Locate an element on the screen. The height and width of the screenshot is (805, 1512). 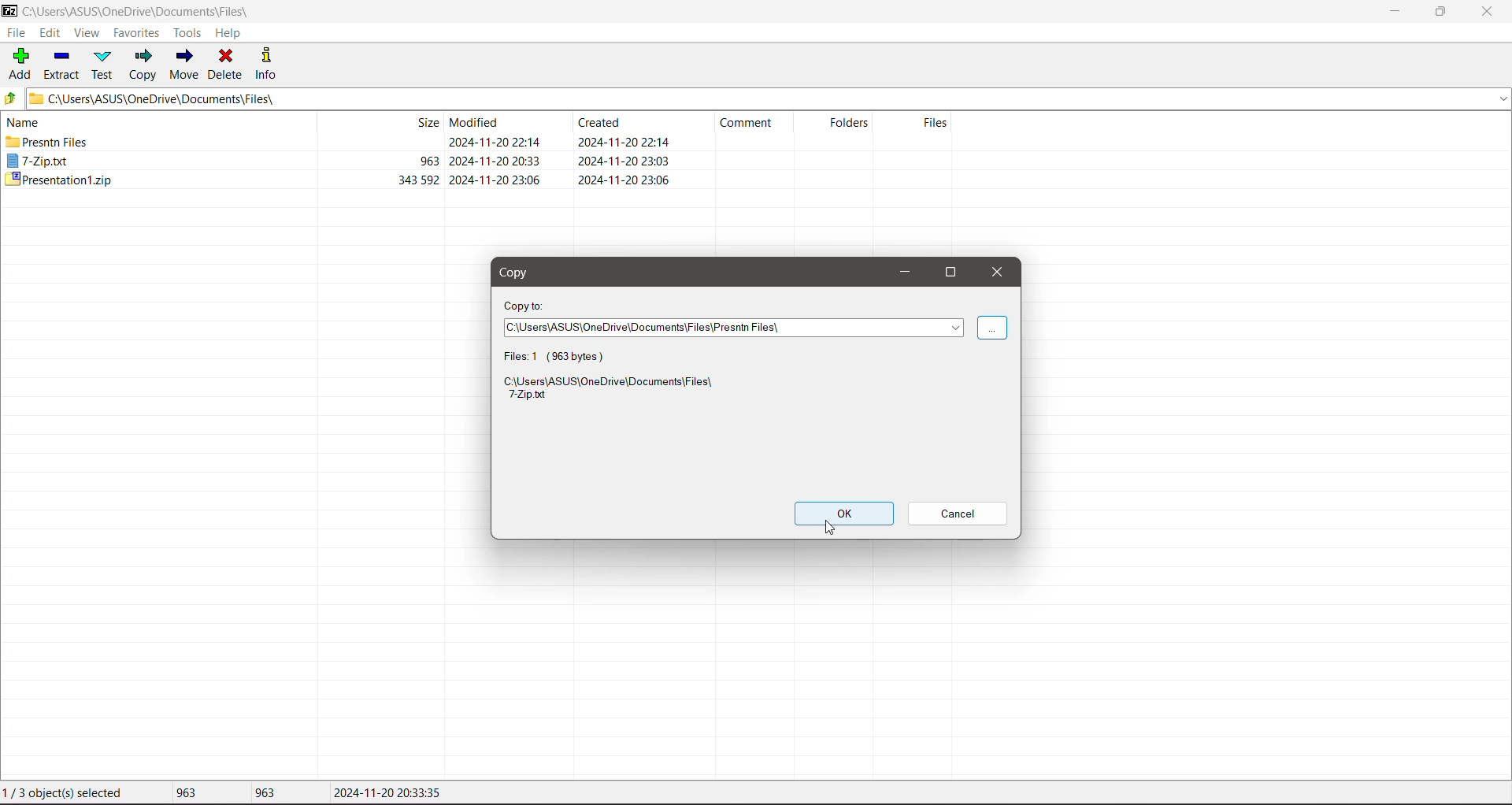
Edit is located at coordinates (53, 33).